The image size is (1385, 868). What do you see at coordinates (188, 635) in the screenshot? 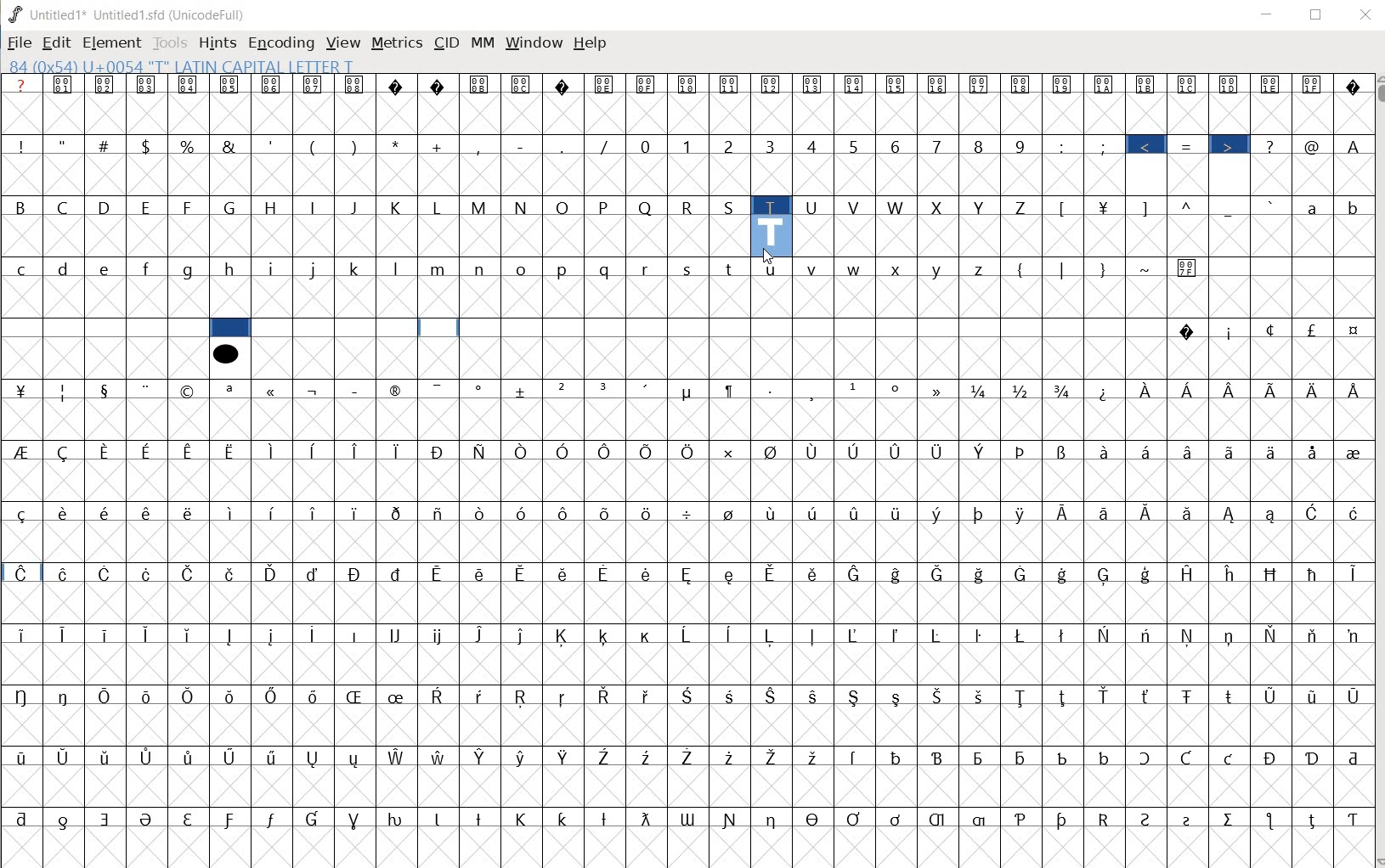
I see `Symbol` at bounding box center [188, 635].